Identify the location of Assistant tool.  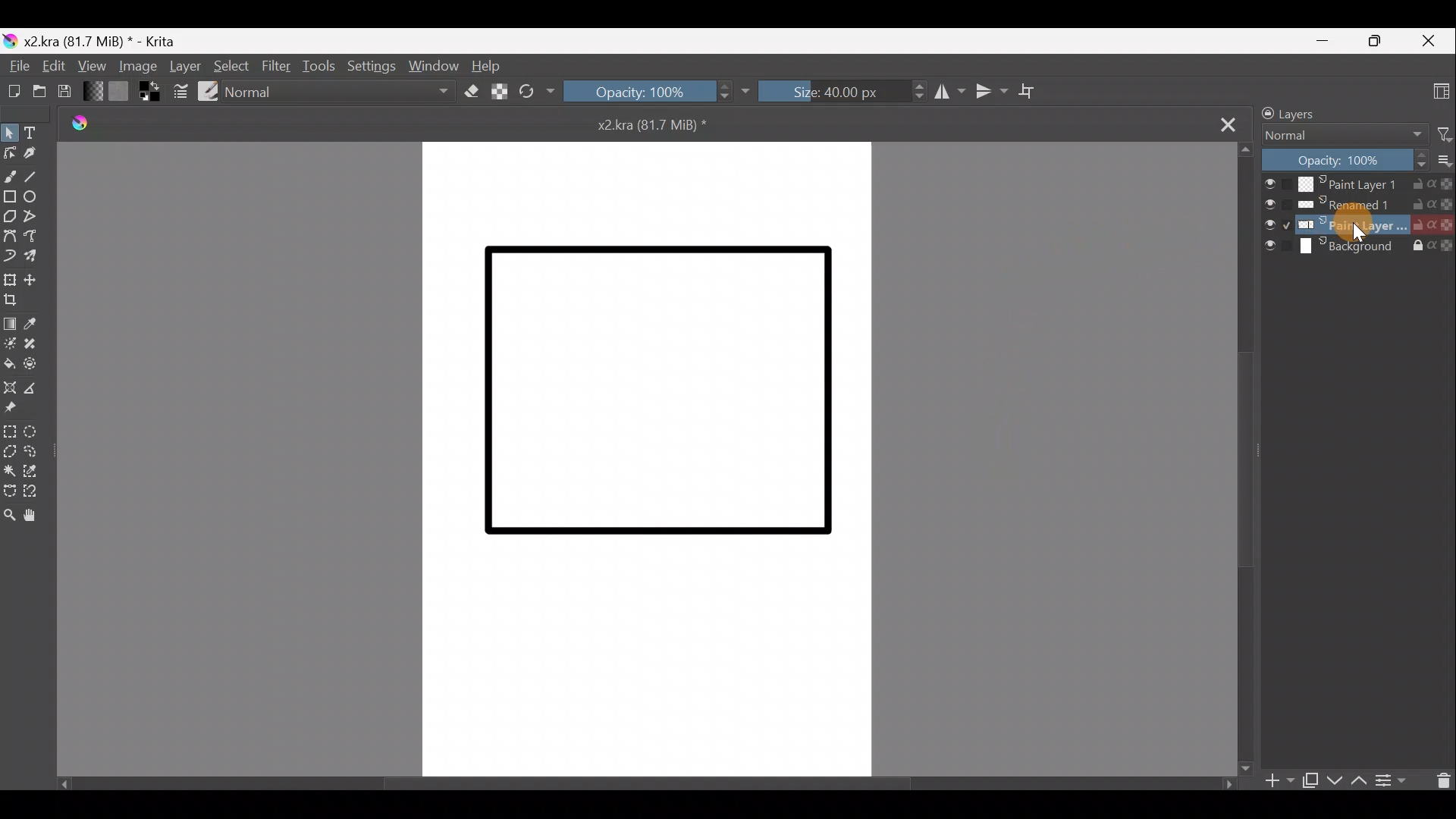
(11, 390).